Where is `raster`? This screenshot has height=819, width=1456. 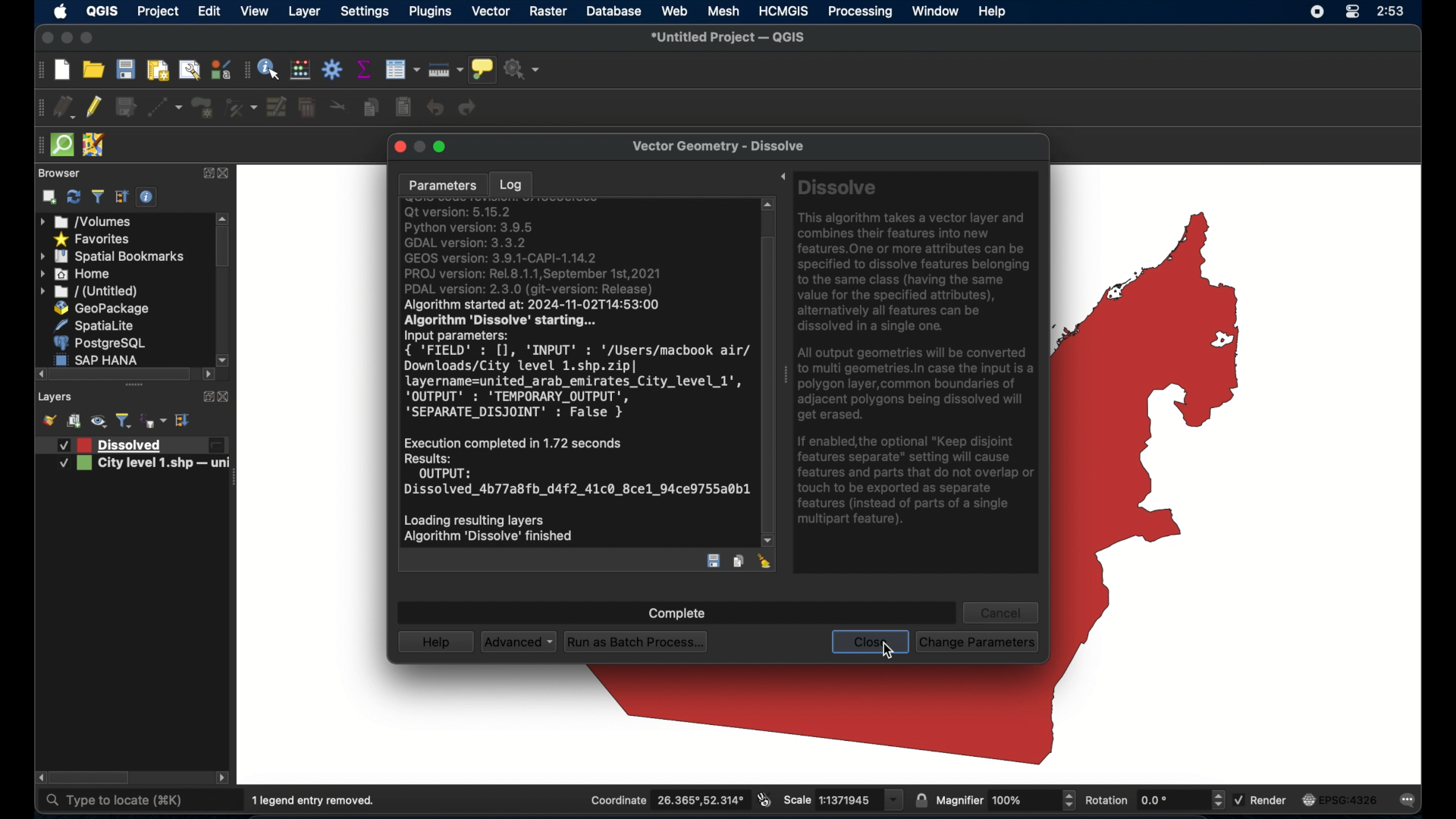 raster is located at coordinates (548, 11).